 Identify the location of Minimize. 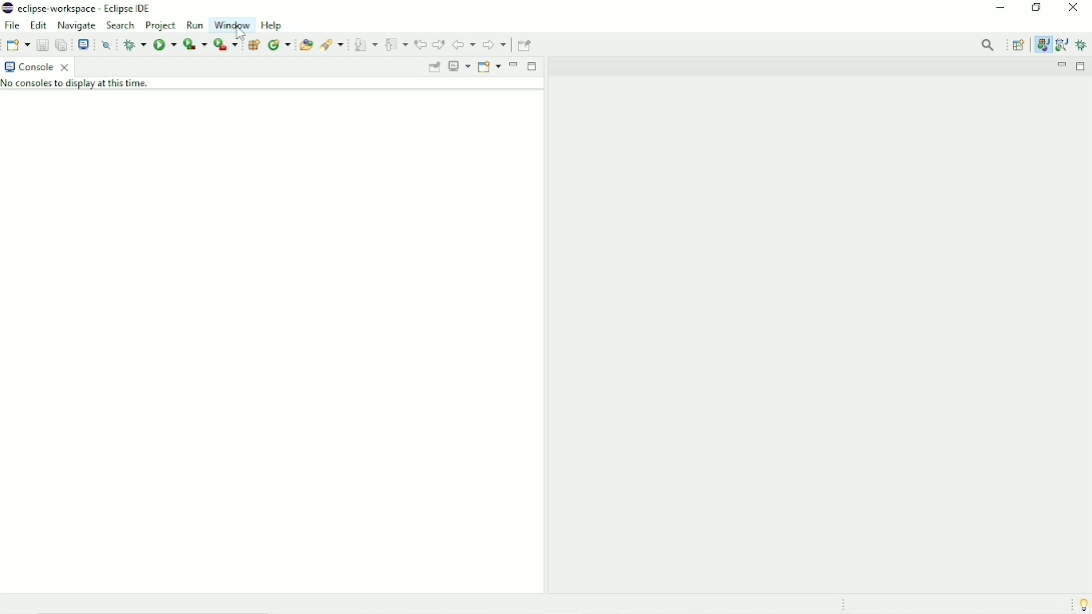
(514, 64).